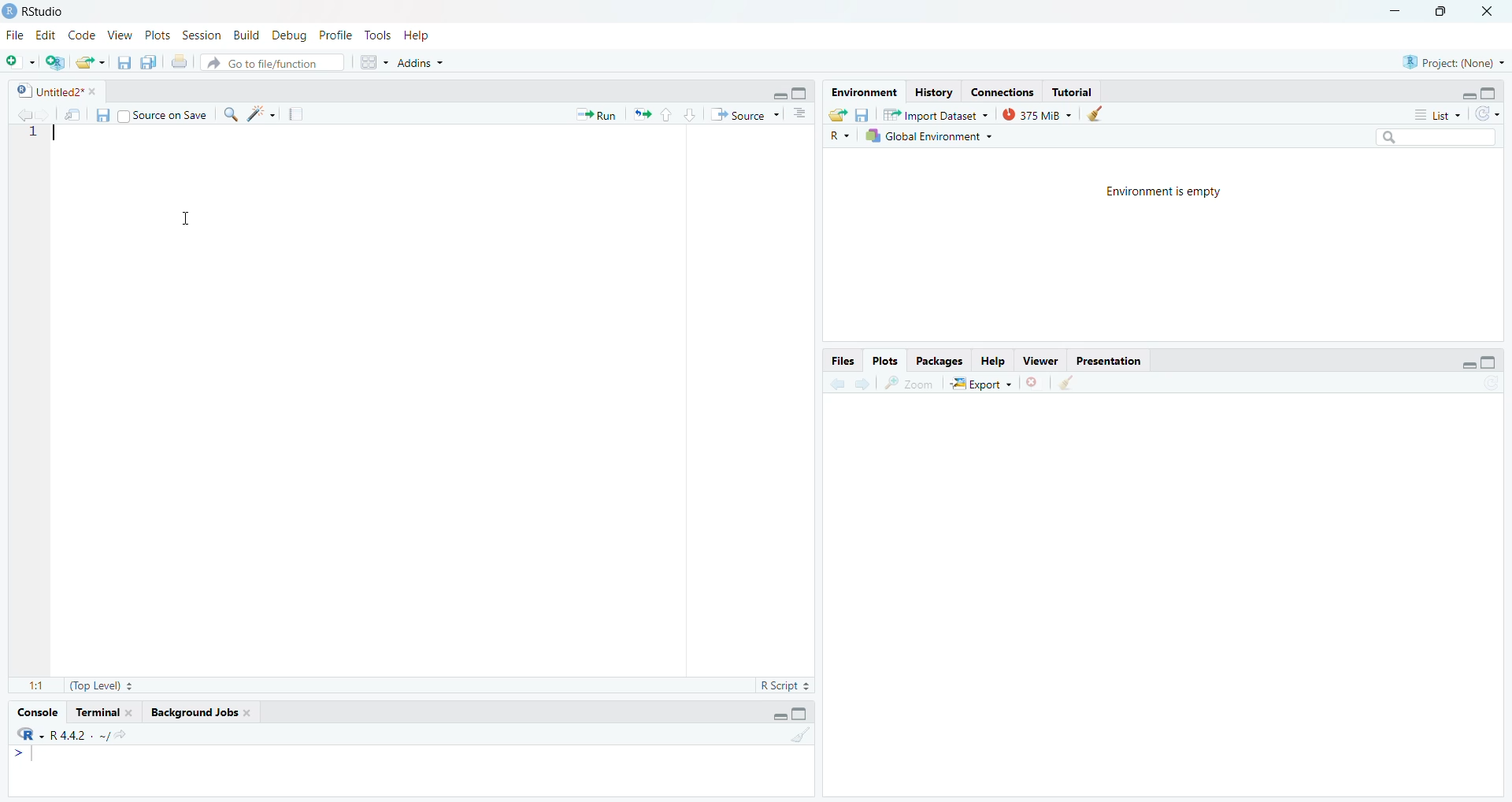  I want to click on  Export ~, so click(982, 383).